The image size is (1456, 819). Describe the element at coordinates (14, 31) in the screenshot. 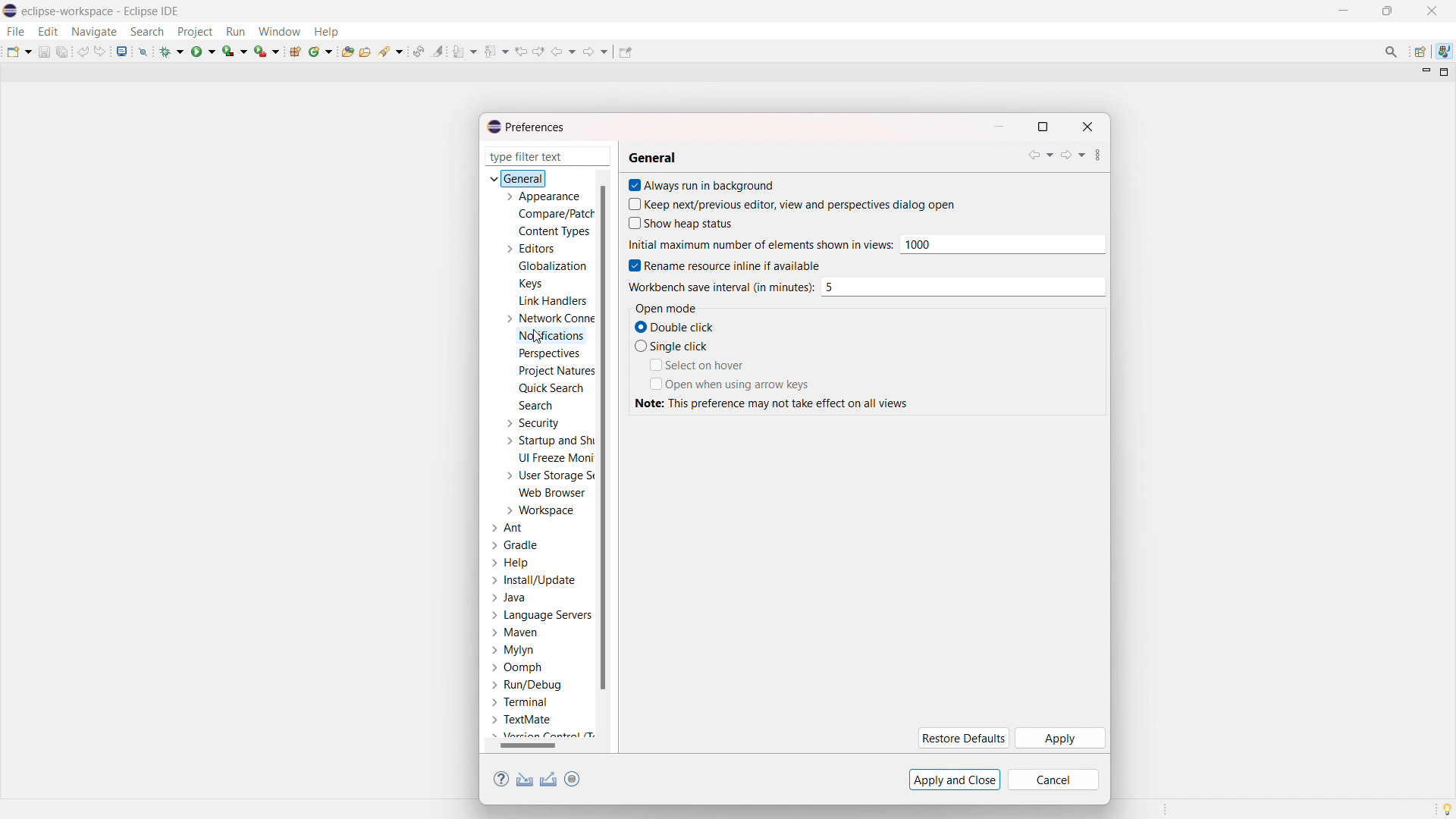

I see `file` at that location.